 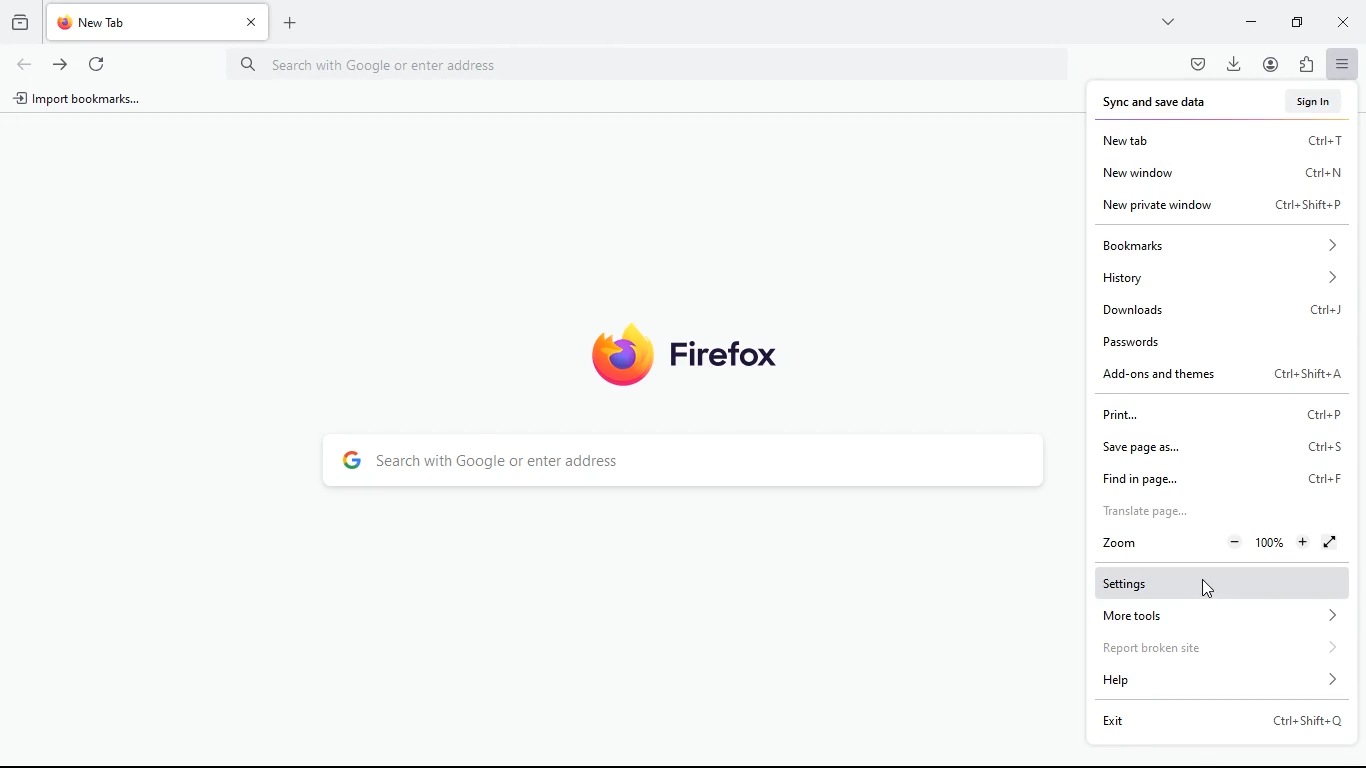 What do you see at coordinates (1229, 446) in the screenshot?
I see `save page as` at bounding box center [1229, 446].